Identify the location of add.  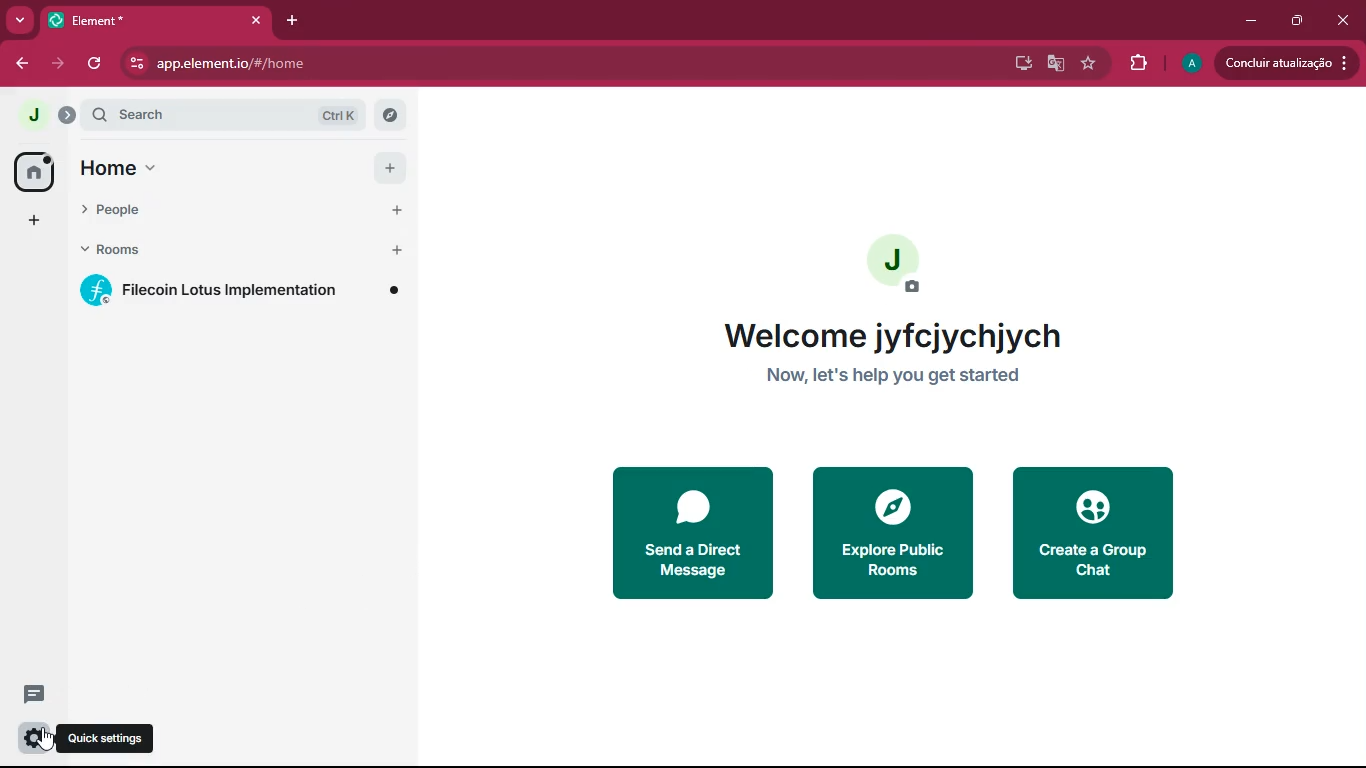
(384, 167).